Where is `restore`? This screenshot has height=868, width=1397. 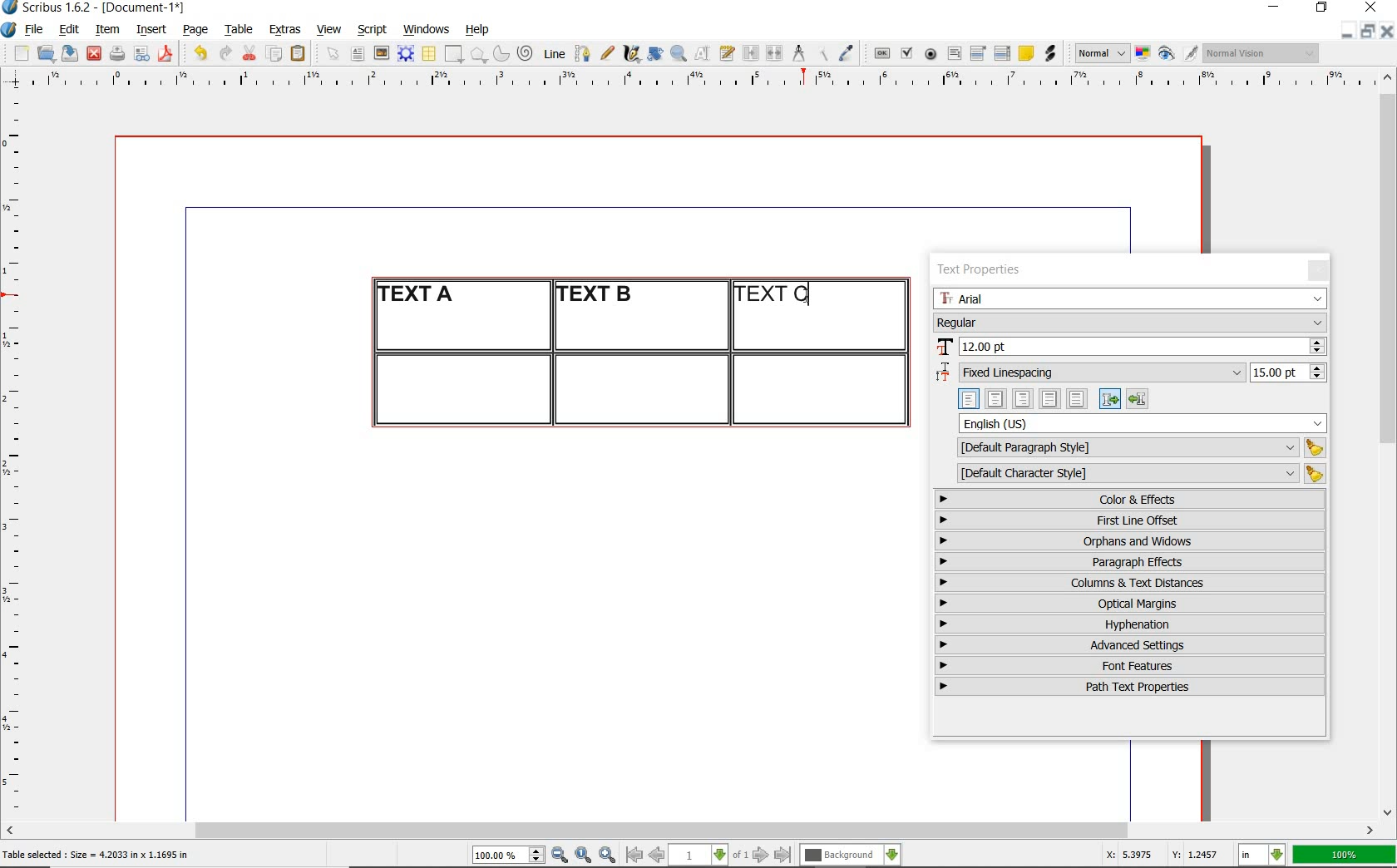 restore is located at coordinates (1368, 30).